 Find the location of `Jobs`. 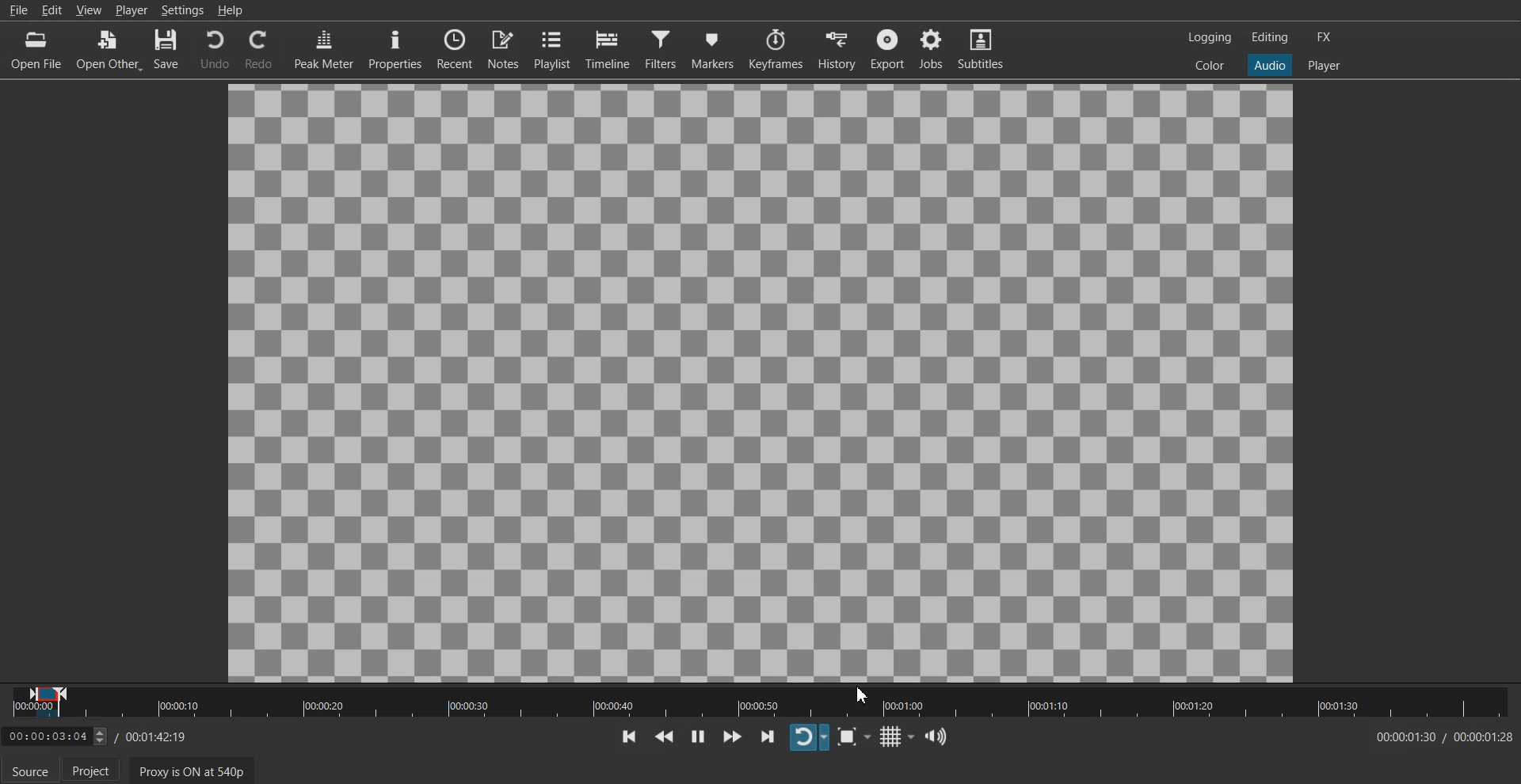

Jobs is located at coordinates (932, 49).